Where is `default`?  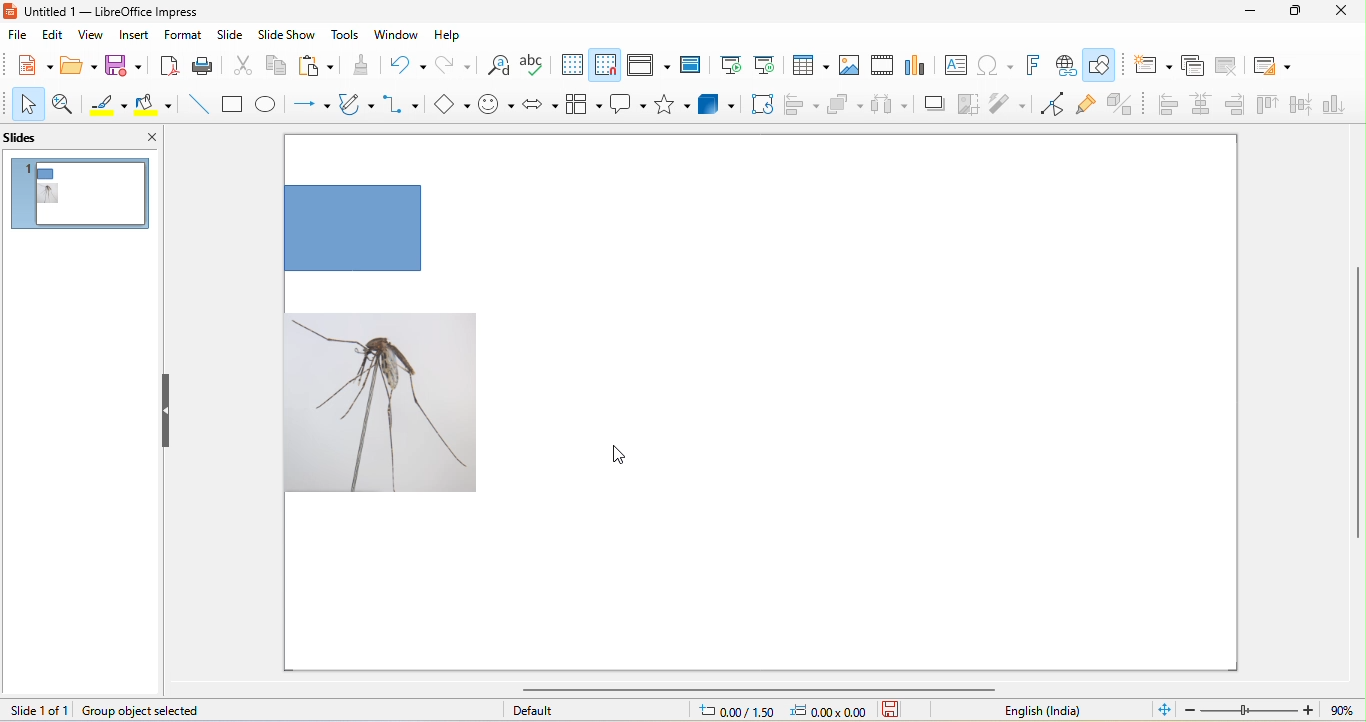
default is located at coordinates (569, 711).